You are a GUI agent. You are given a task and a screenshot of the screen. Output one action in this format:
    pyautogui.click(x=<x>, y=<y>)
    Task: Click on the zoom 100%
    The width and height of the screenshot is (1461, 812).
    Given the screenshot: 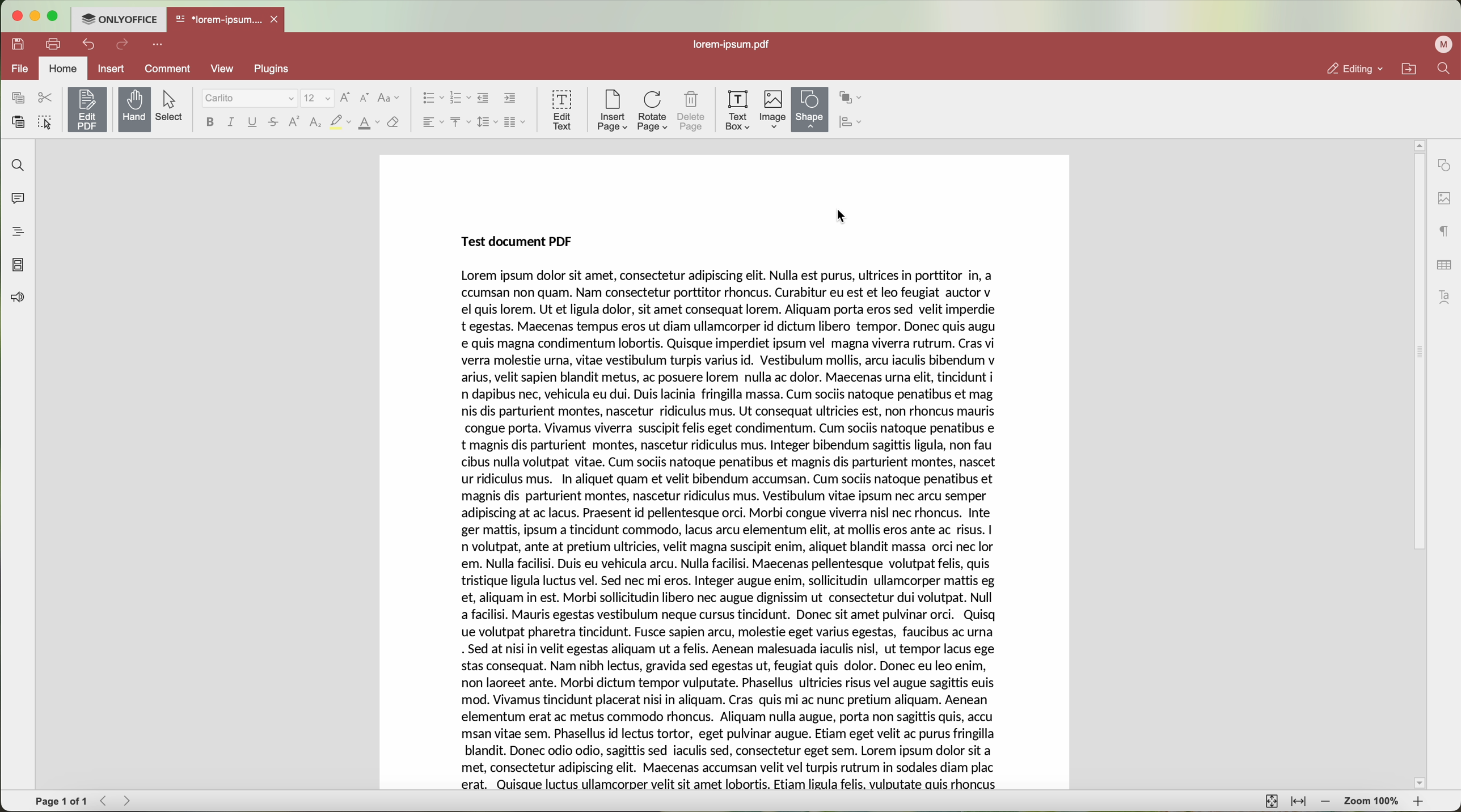 What is the action you would take?
    pyautogui.click(x=1371, y=802)
    